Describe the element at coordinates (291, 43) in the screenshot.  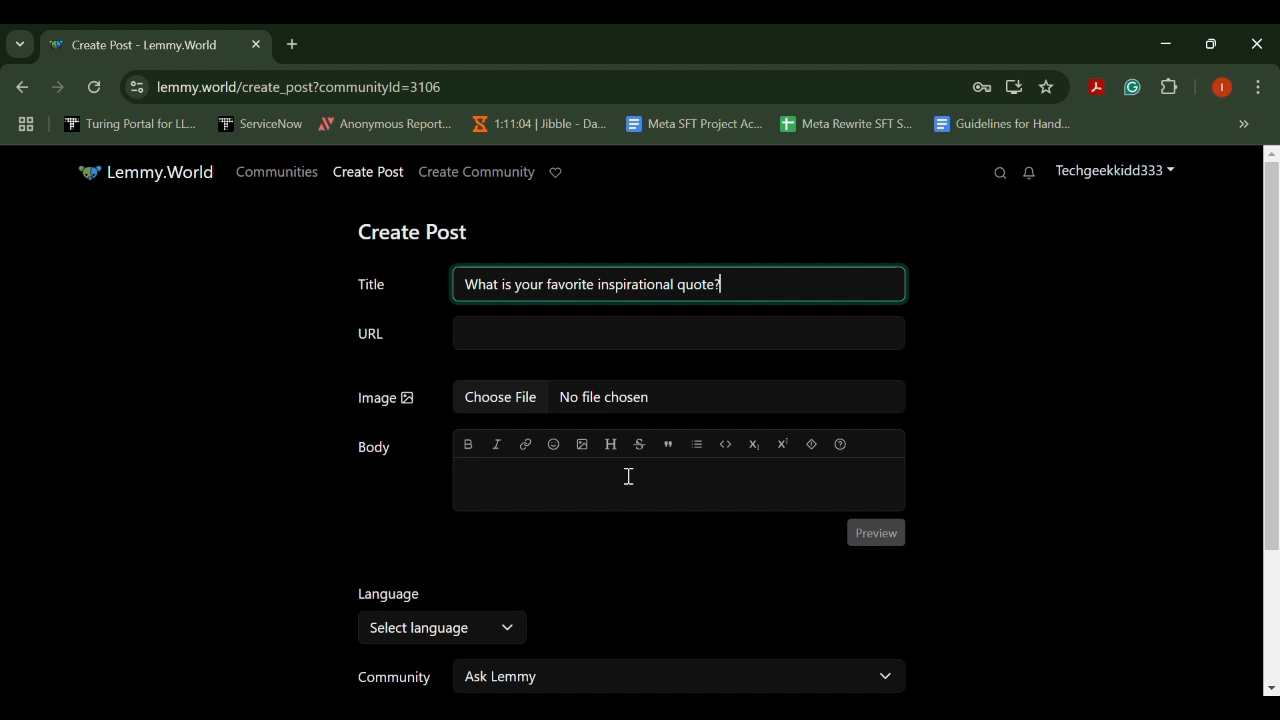
I see `Add Tab` at that location.